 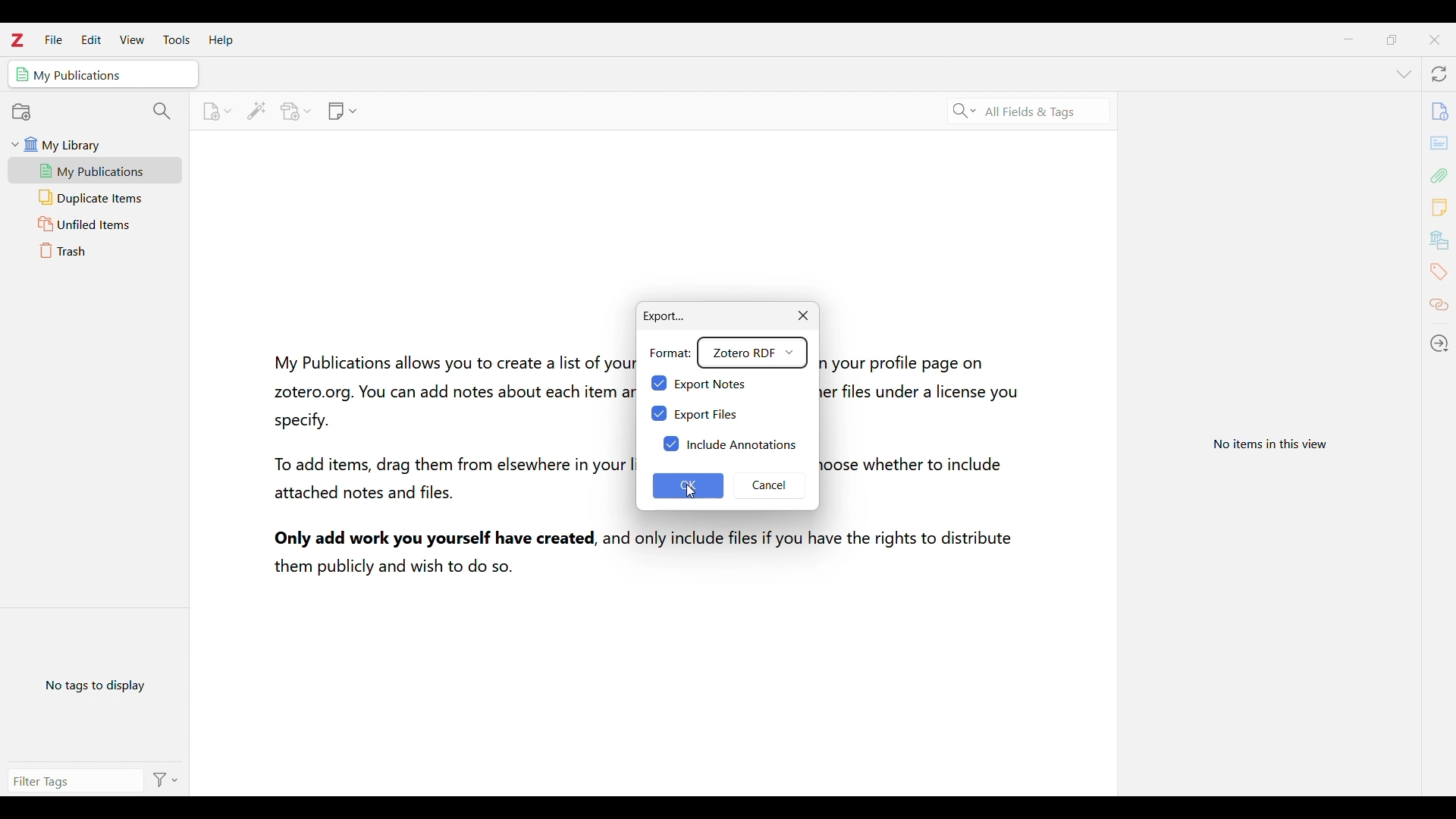 What do you see at coordinates (91, 39) in the screenshot?
I see `Edit` at bounding box center [91, 39].